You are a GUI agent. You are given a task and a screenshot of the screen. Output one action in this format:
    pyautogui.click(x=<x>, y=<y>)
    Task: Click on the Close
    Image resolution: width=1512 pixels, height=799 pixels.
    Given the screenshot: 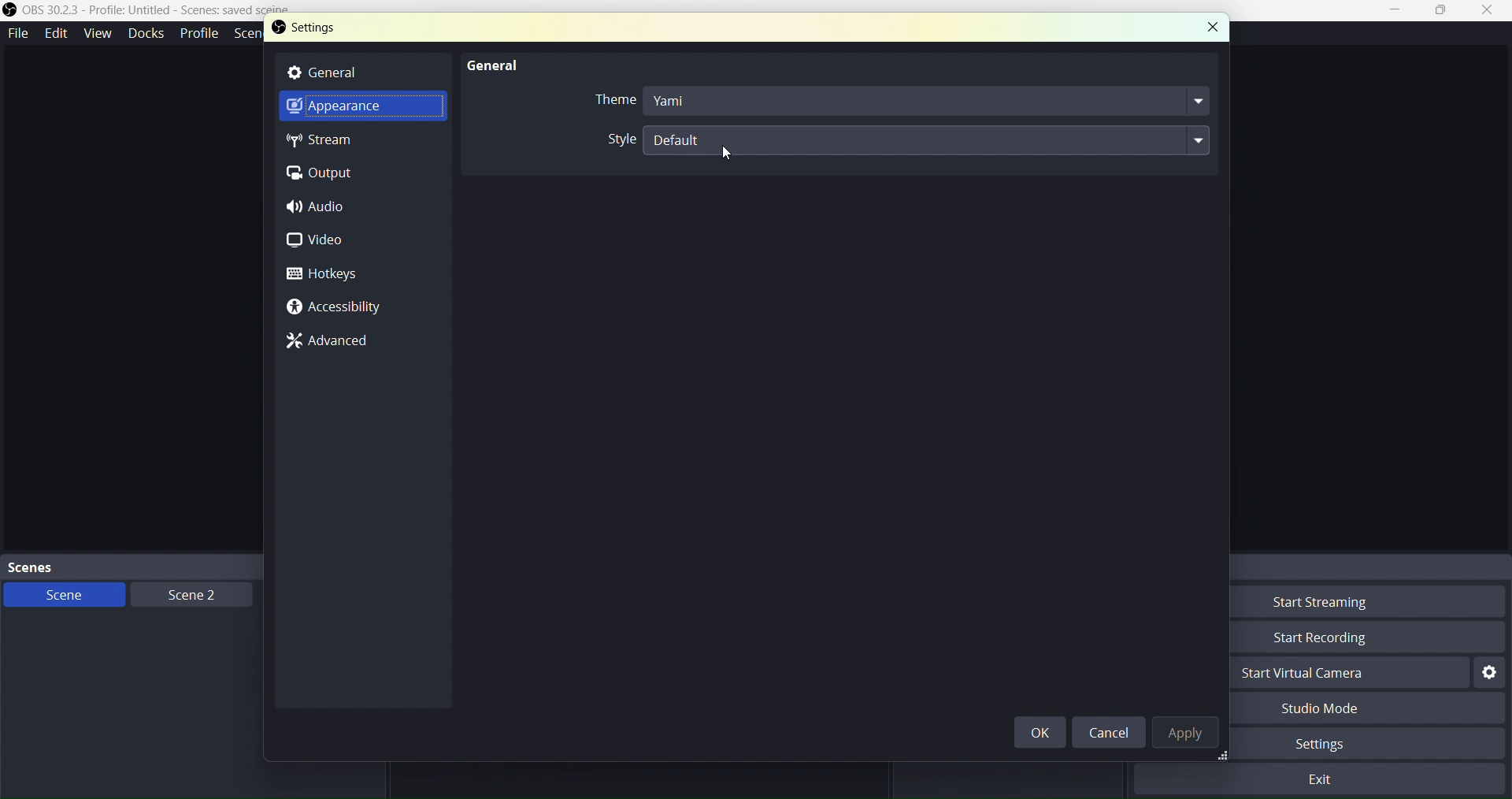 What is the action you would take?
    pyautogui.click(x=1210, y=26)
    